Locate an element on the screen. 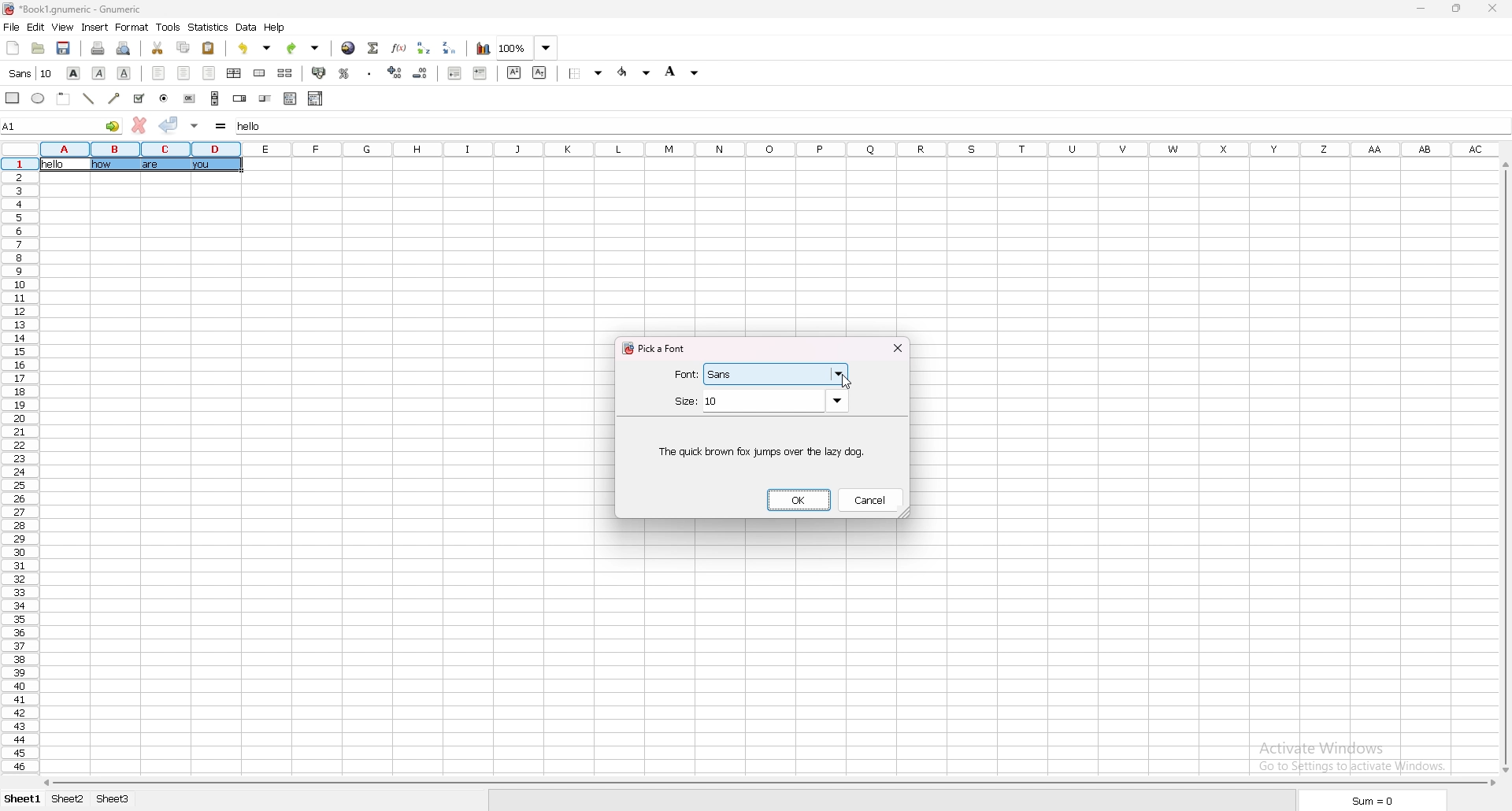  cut is located at coordinates (157, 46).